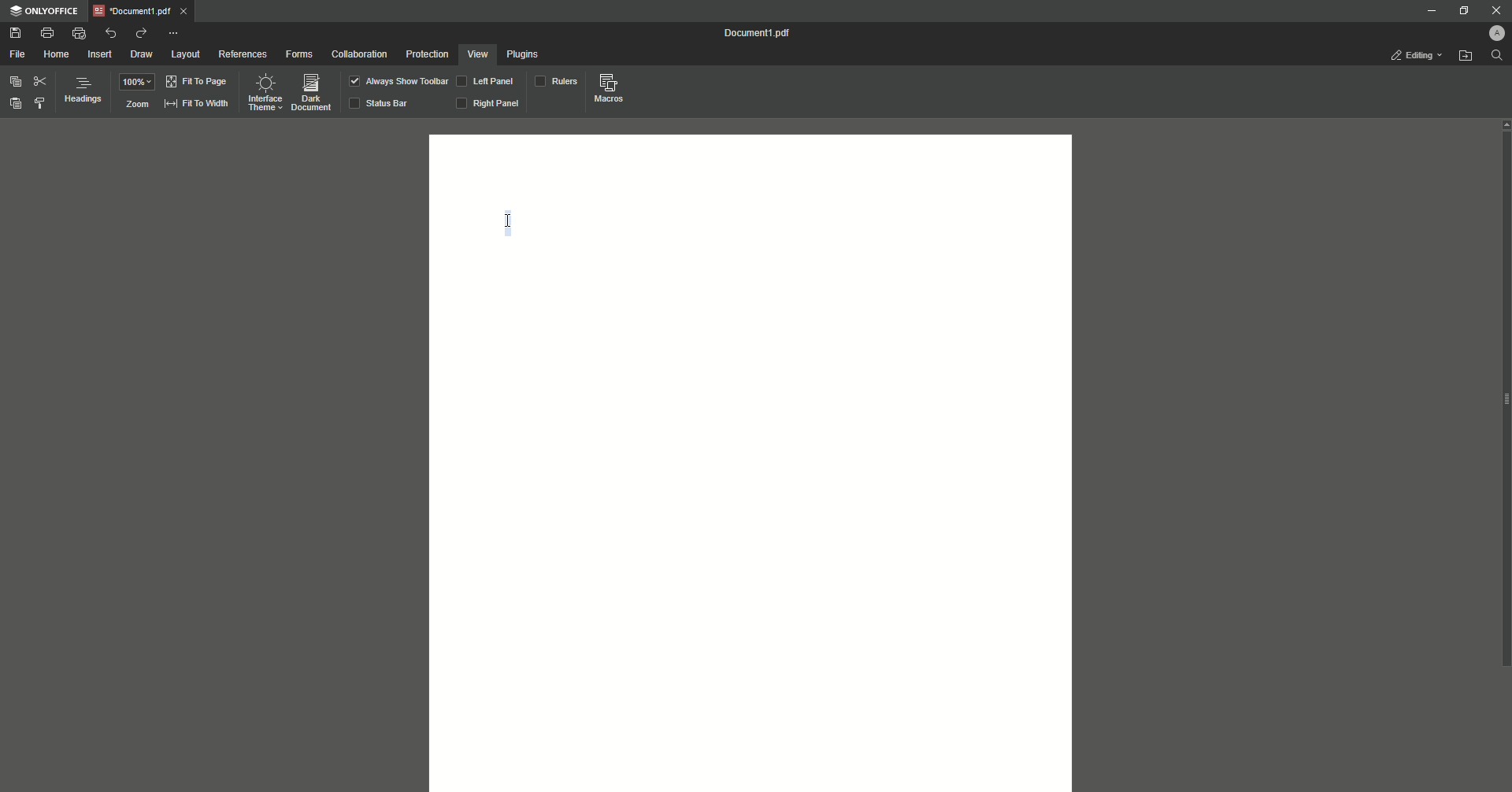 Image resolution: width=1512 pixels, height=792 pixels. I want to click on Rulers, so click(555, 80).